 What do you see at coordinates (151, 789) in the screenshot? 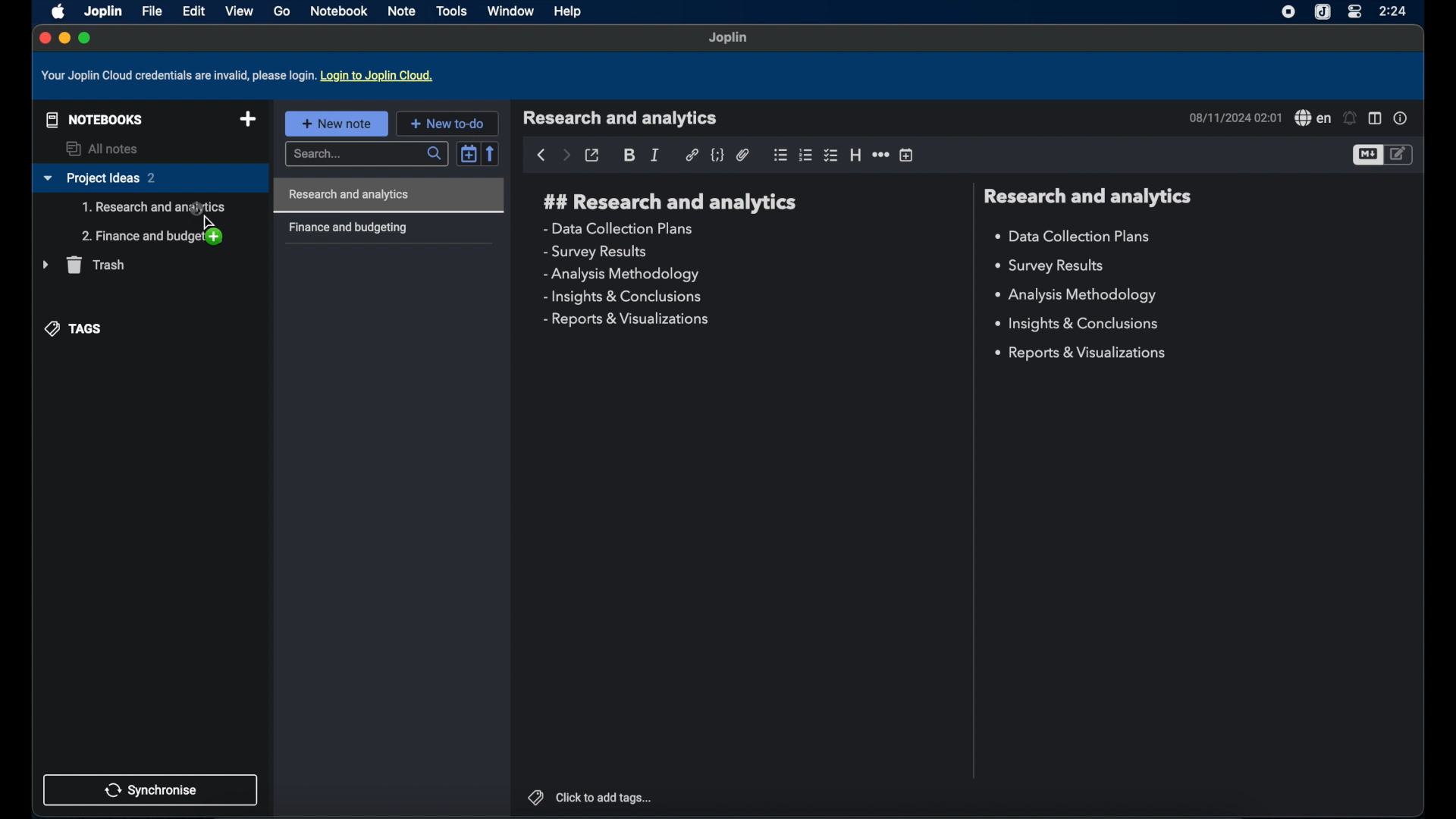
I see `synchronise` at bounding box center [151, 789].